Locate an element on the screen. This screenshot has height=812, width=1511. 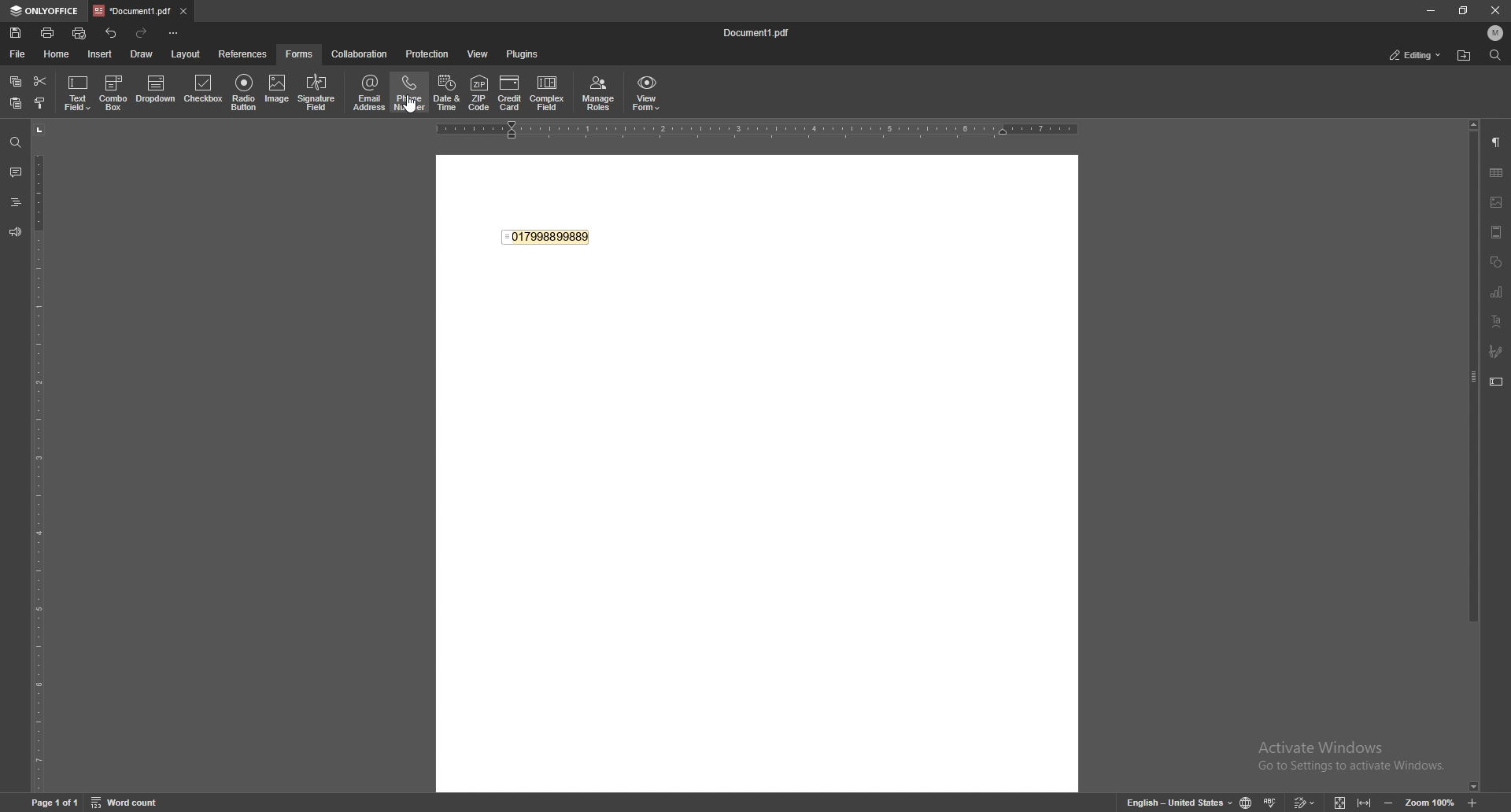
word count is located at coordinates (128, 803).